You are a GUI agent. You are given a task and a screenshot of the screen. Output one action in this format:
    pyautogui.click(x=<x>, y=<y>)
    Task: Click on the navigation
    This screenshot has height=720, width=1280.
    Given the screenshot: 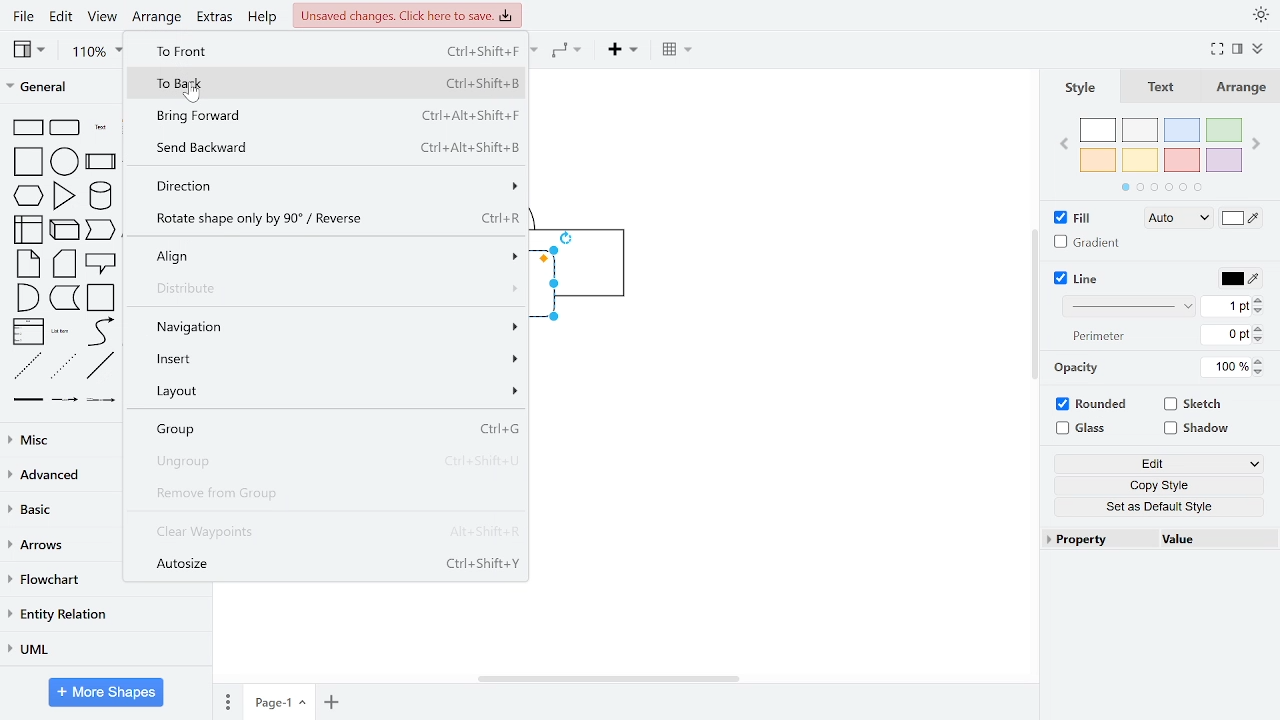 What is the action you would take?
    pyautogui.click(x=334, y=329)
    